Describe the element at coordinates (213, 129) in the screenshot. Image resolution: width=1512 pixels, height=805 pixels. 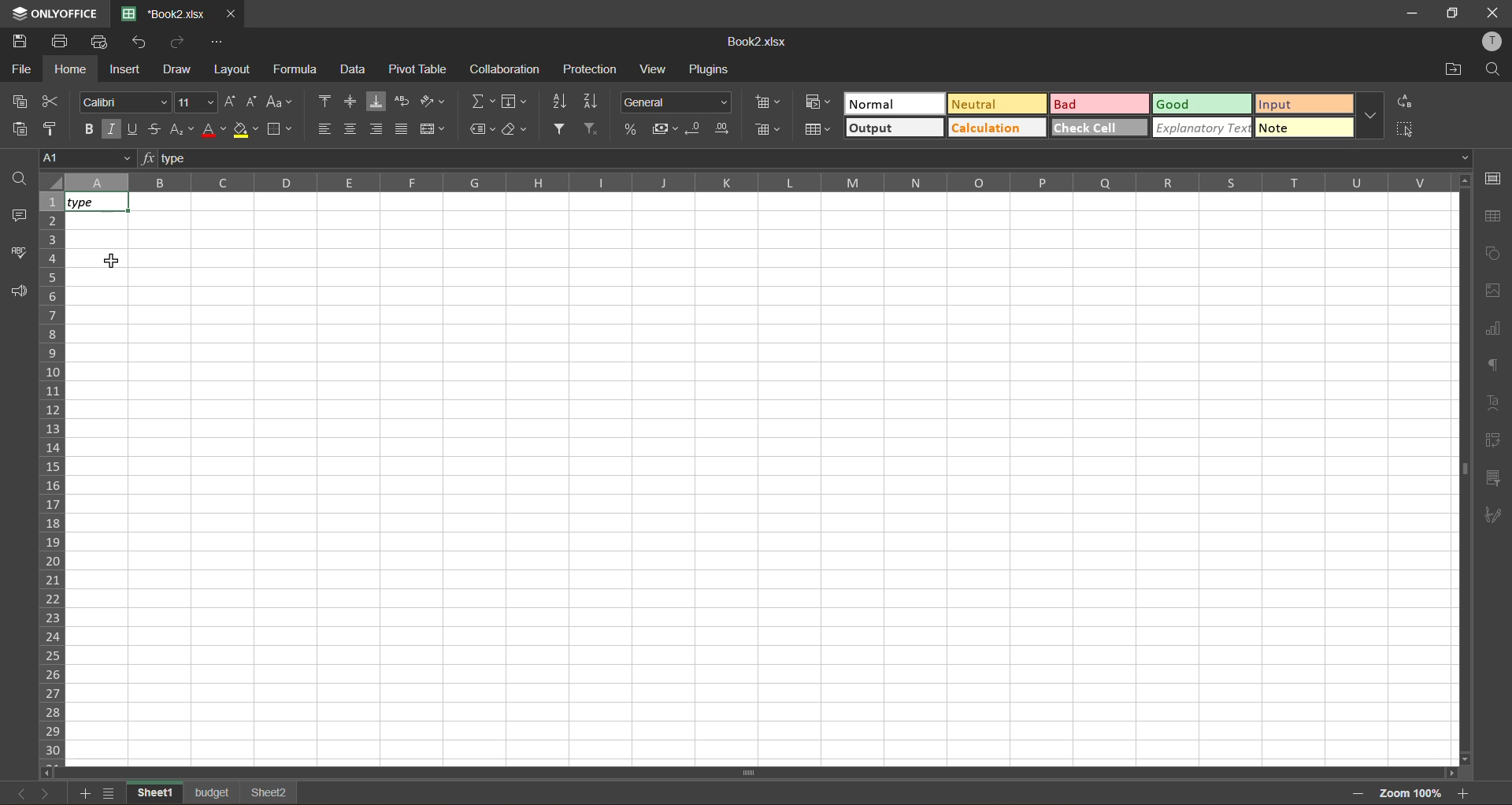
I see `font color` at that location.